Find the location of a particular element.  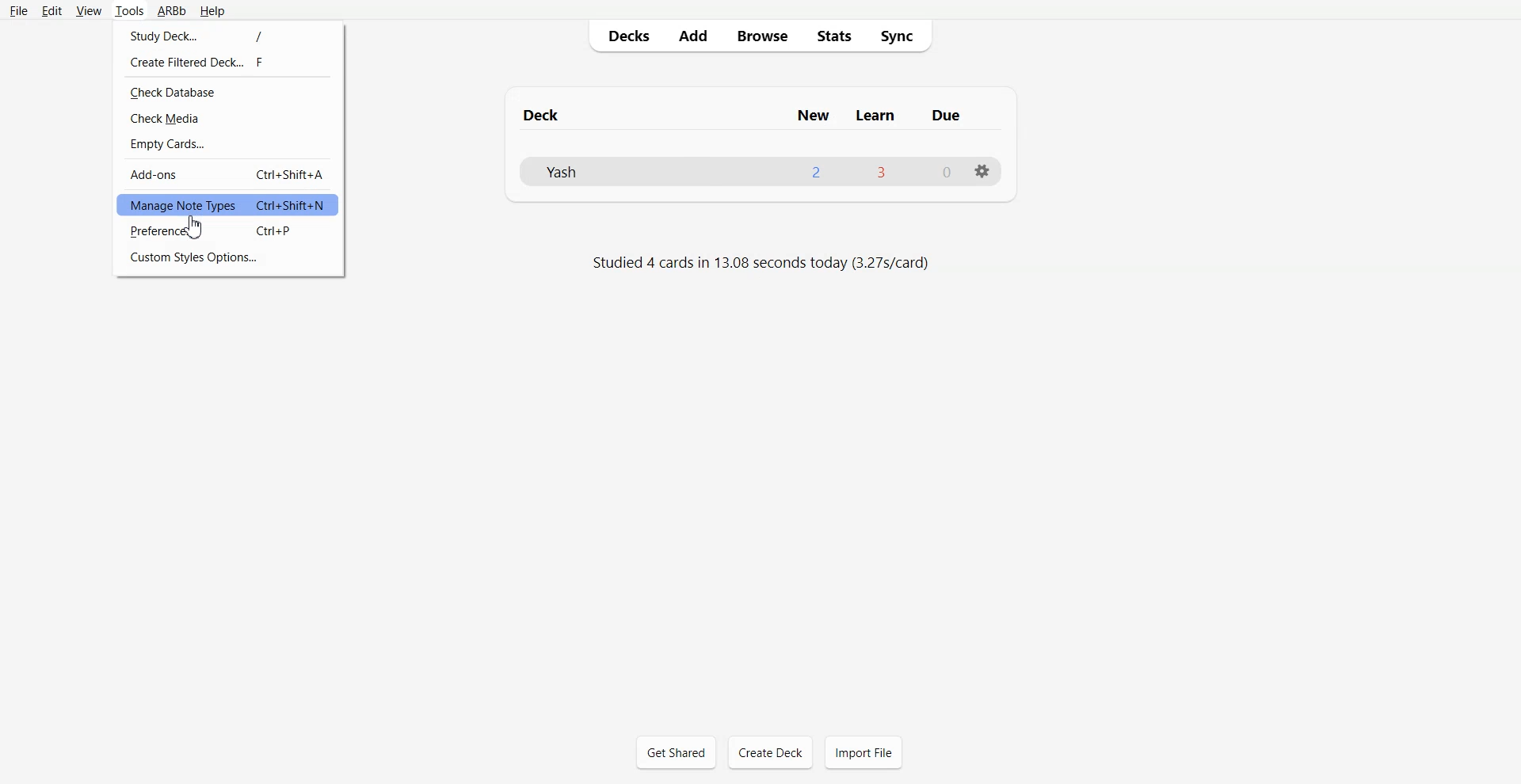

Check Media is located at coordinates (227, 118).